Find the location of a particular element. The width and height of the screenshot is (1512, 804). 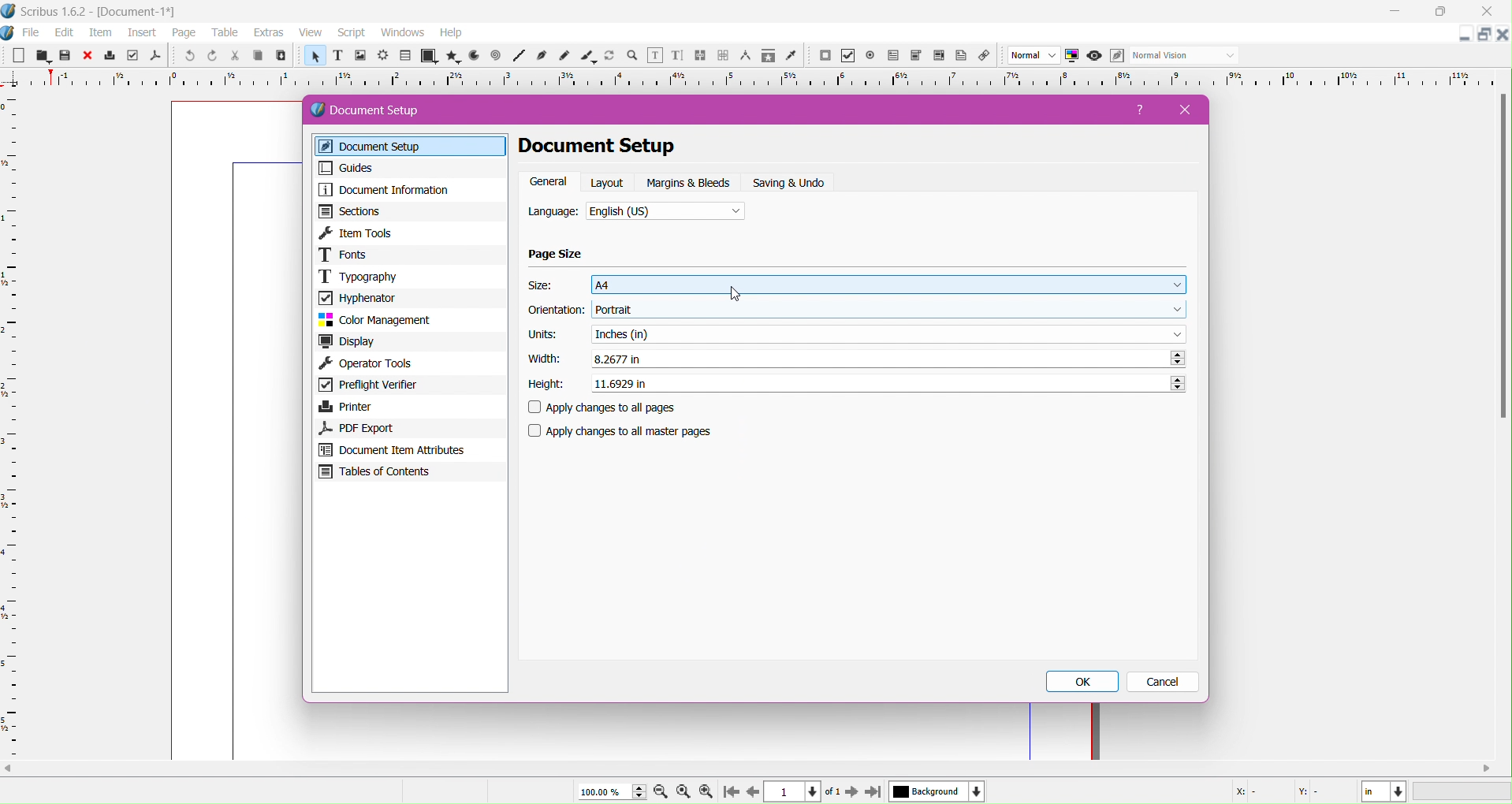

Document Item Attributes is located at coordinates (409, 450).